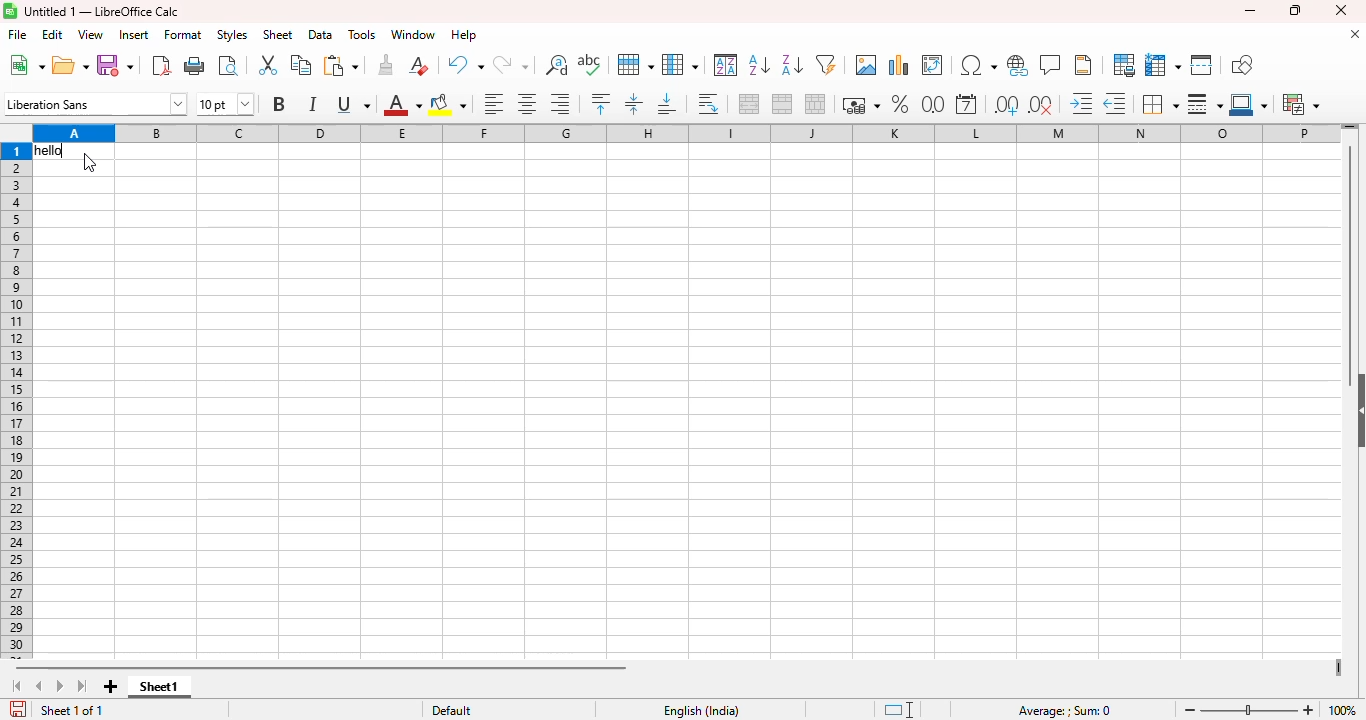 Image resolution: width=1366 pixels, height=720 pixels. What do you see at coordinates (526, 103) in the screenshot?
I see `align center` at bounding box center [526, 103].